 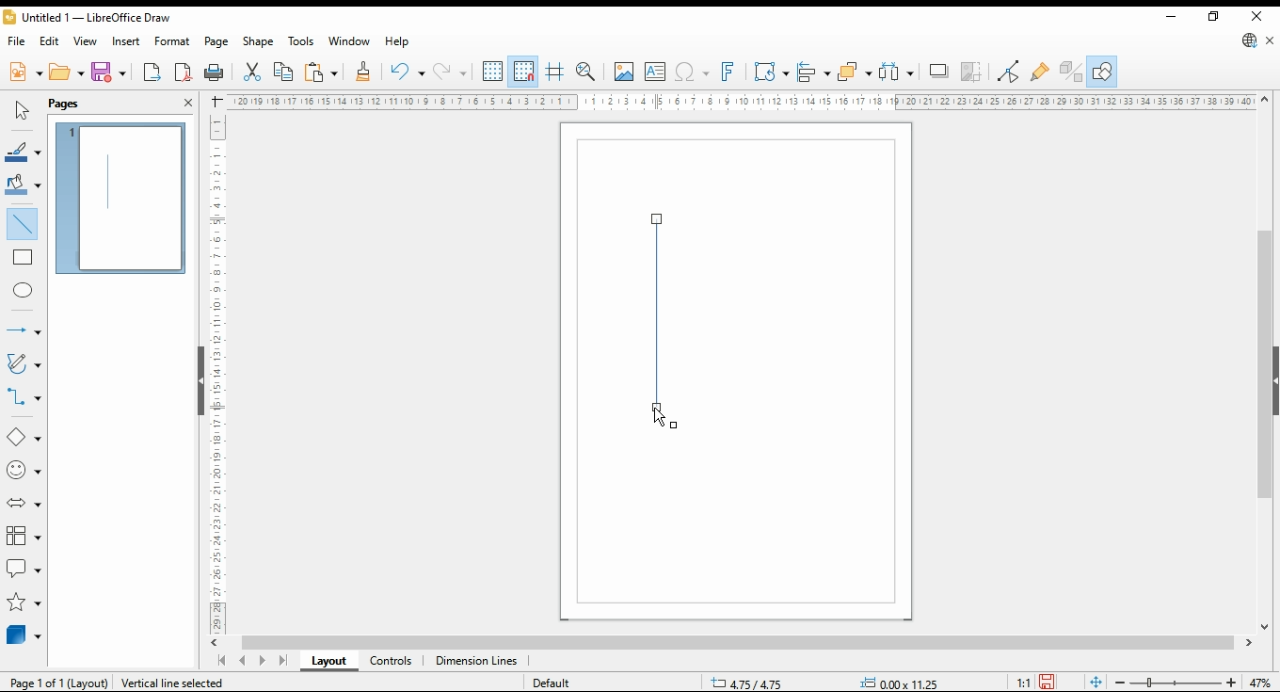 I want to click on page 1, so click(x=123, y=195).